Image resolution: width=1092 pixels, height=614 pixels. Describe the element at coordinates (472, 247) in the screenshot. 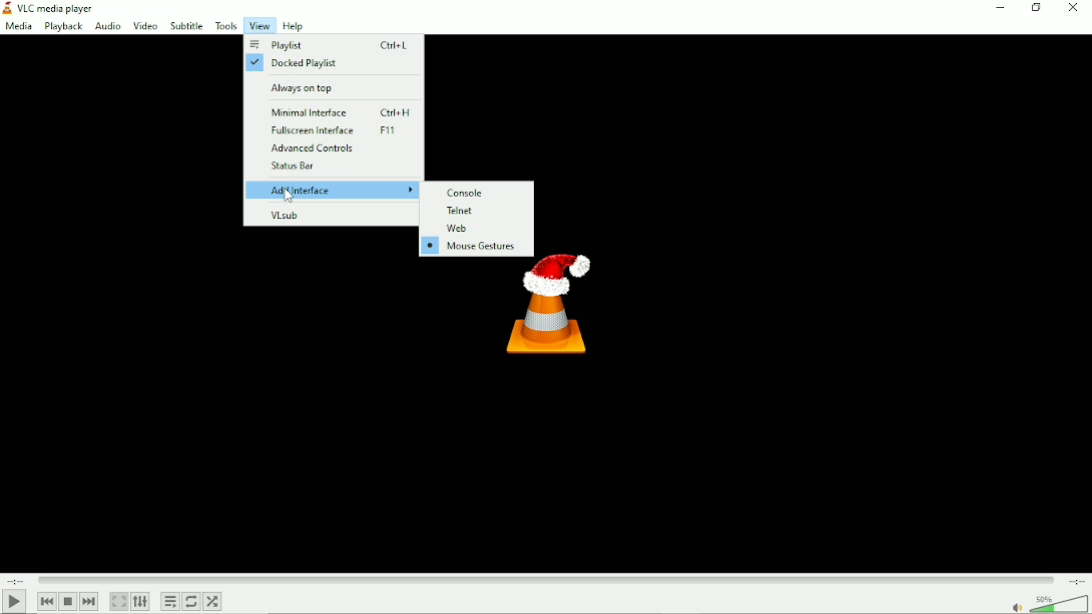

I see `Mouse gestures` at that location.